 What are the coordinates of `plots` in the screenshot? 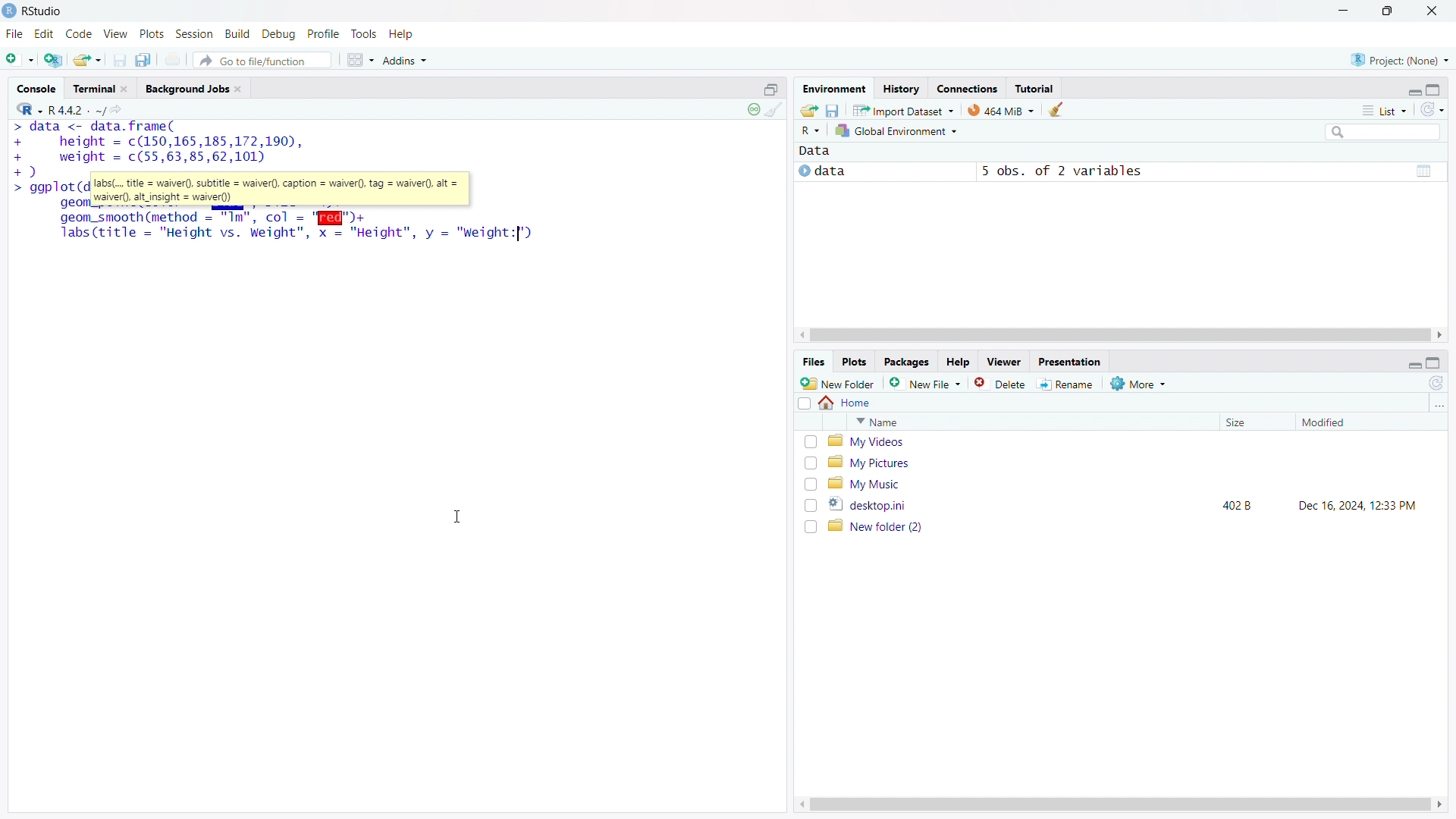 It's located at (855, 362).